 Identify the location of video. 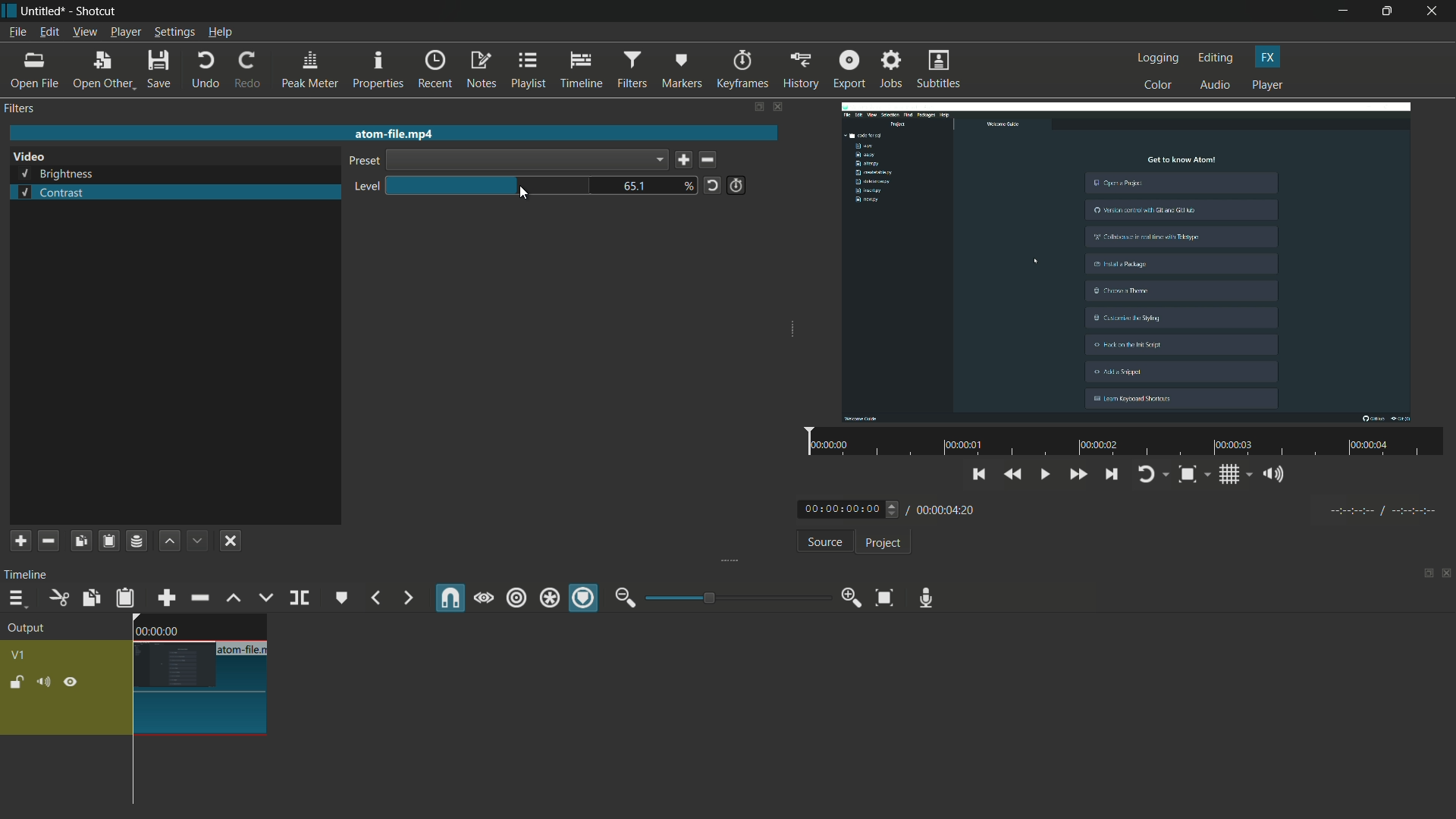
(29, 157).